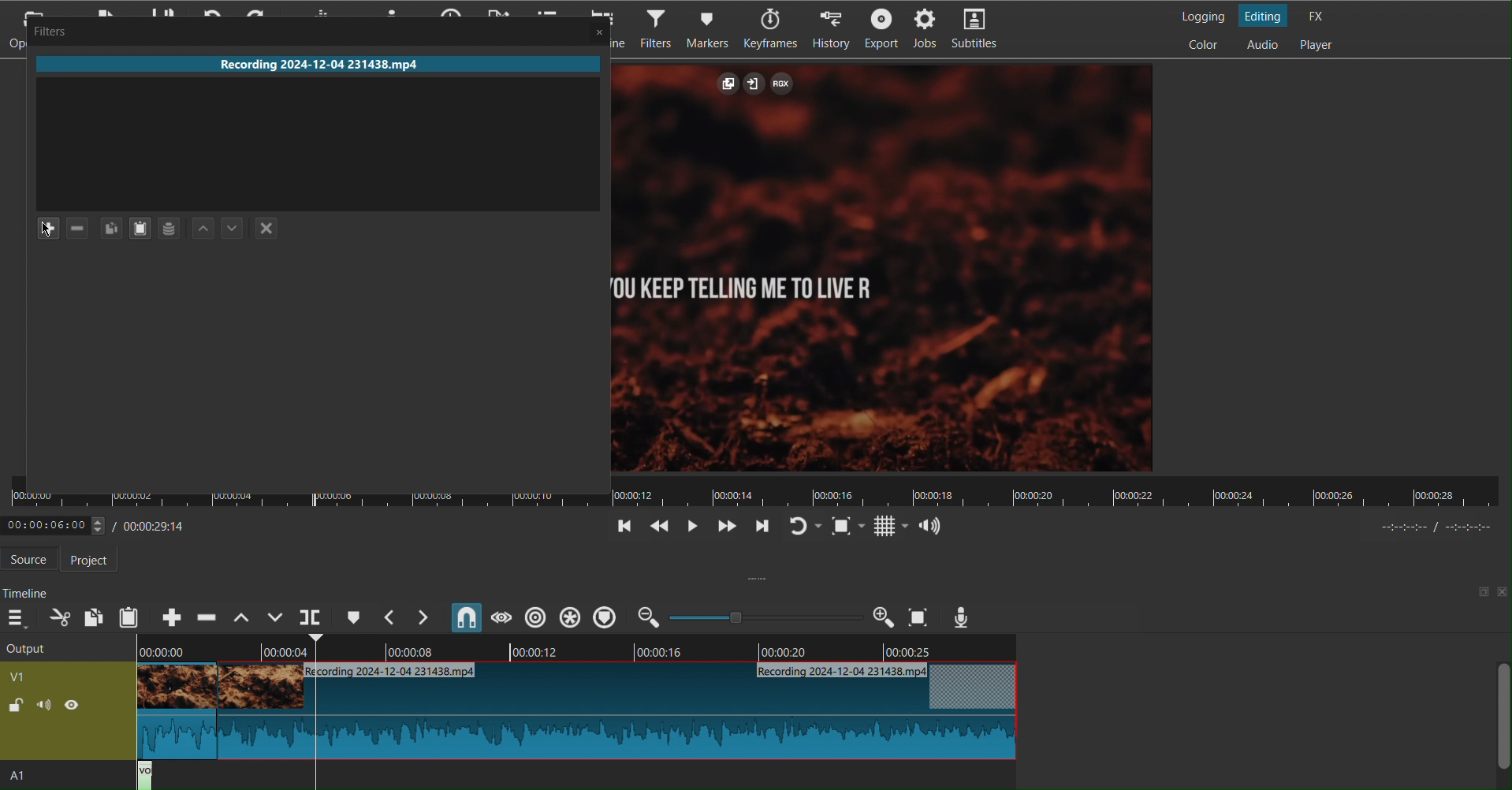  Describe the element at coordinates (112, 229) in the screenshot. I see `Copy` at that location.